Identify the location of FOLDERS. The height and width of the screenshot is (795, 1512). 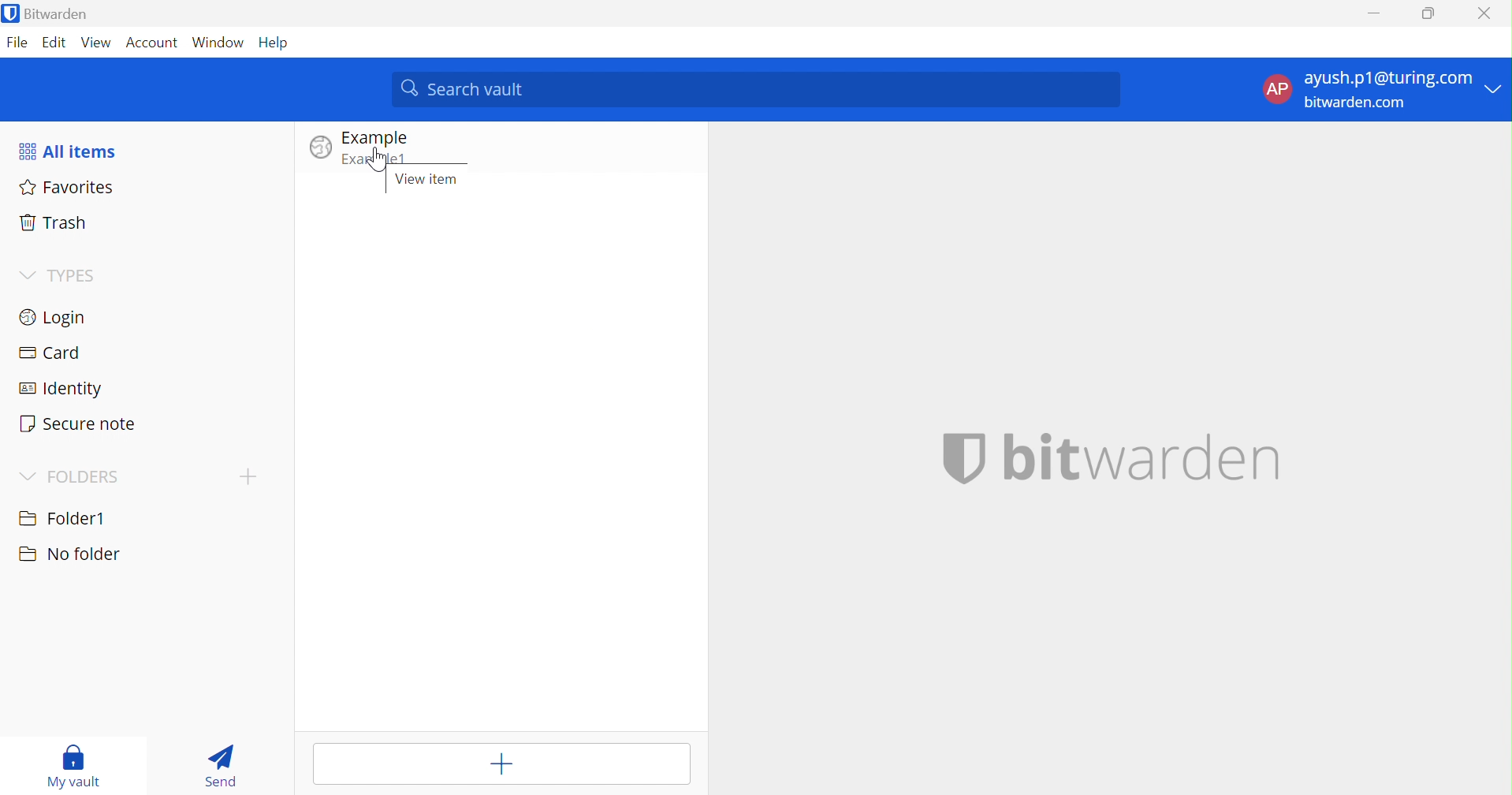
(84, 478).